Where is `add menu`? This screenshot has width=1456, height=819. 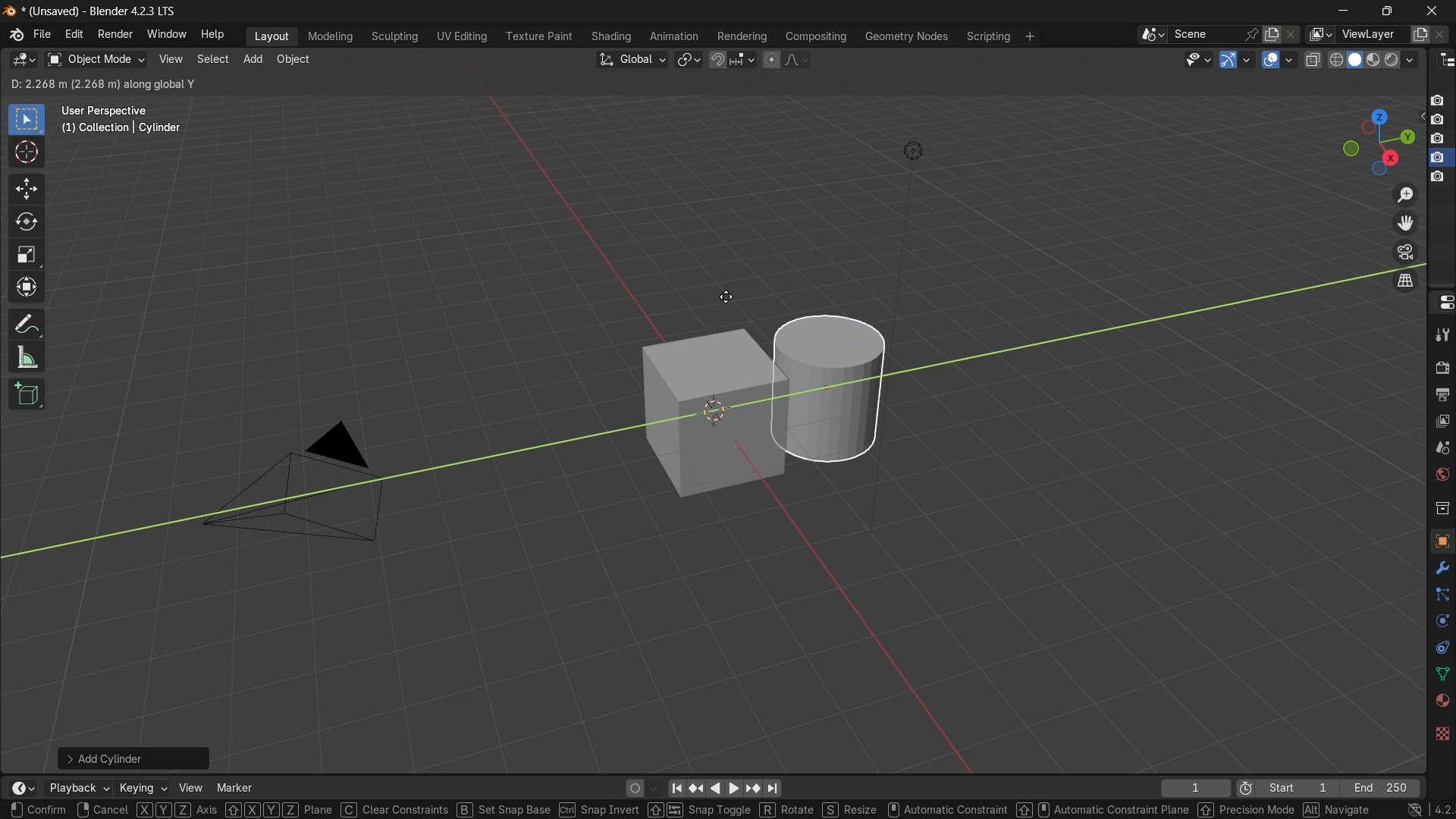
add menu is located at coordinates (251, 60).